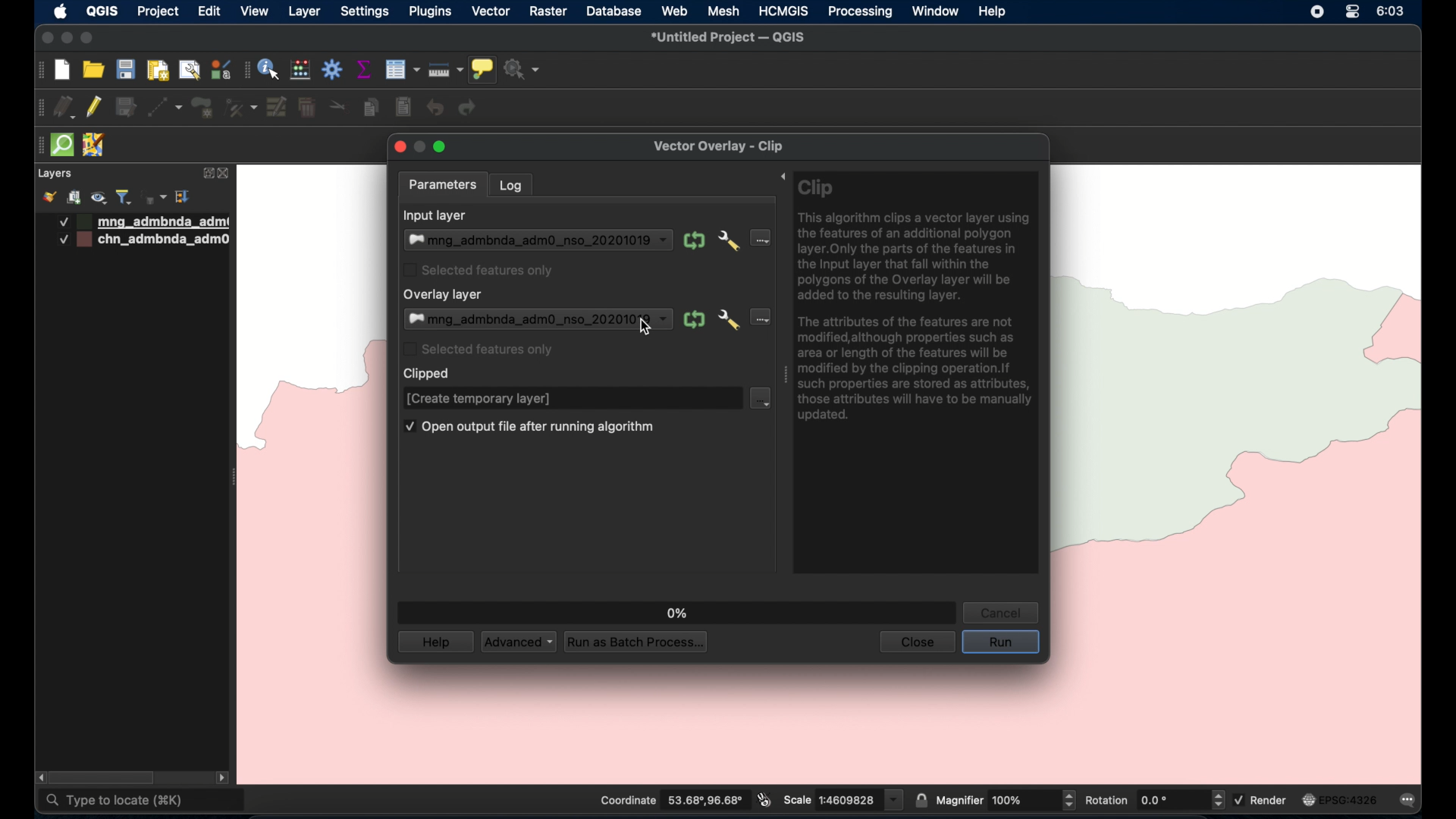 The height and width of the screenshot is (819, 1456). Describe the element at coordinates (937, 11) in the screenshot. I see `window` at that location.